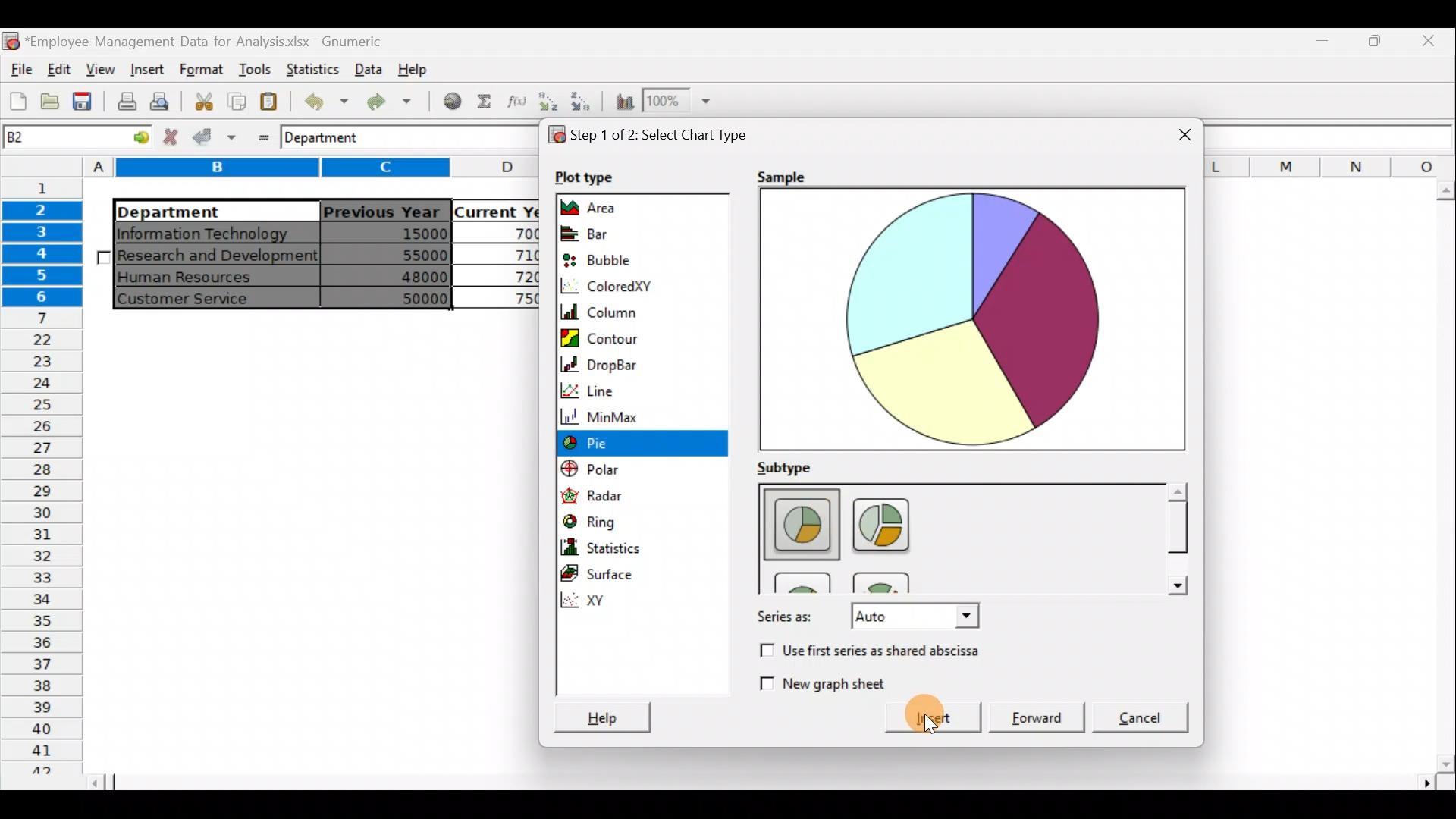 The width and height of the screenshot is (1456, 819). I want to click on Forward, so click(1038, 712).